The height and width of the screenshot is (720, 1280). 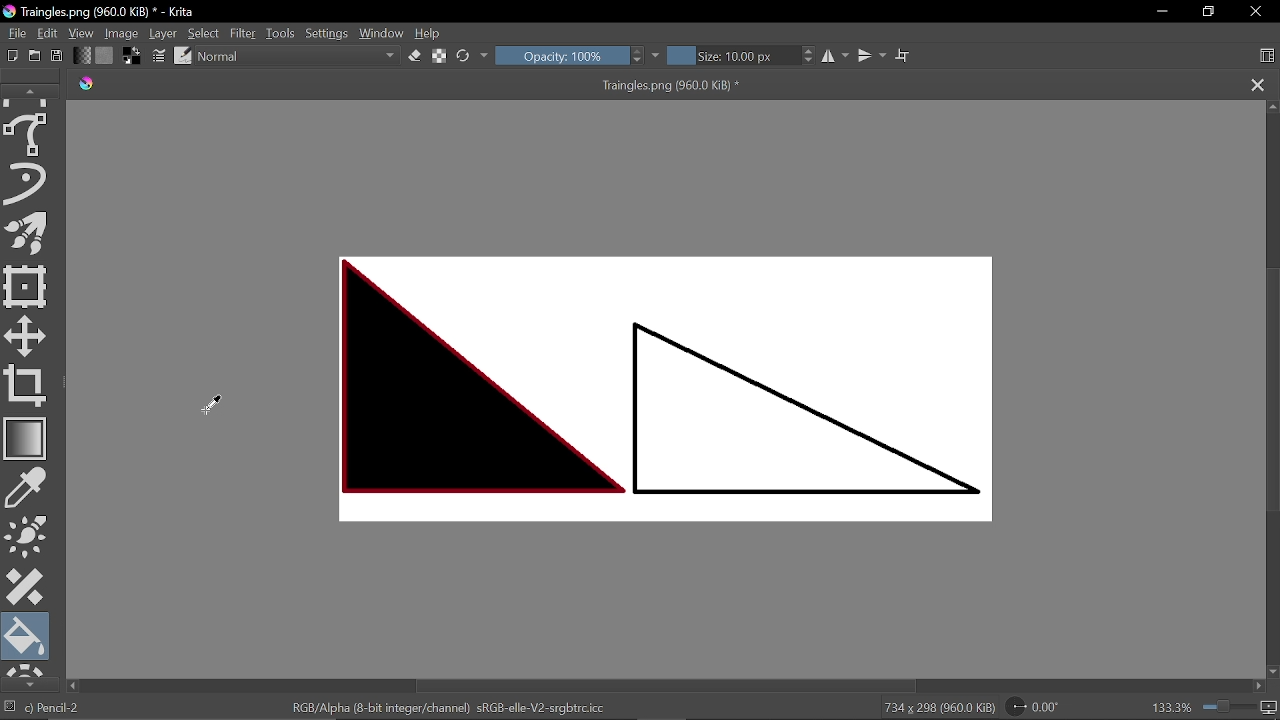 What do you see at coordinates (26, 587) in the screenshot?
I see `Smart patch tool` at bounding box center [26, 587].